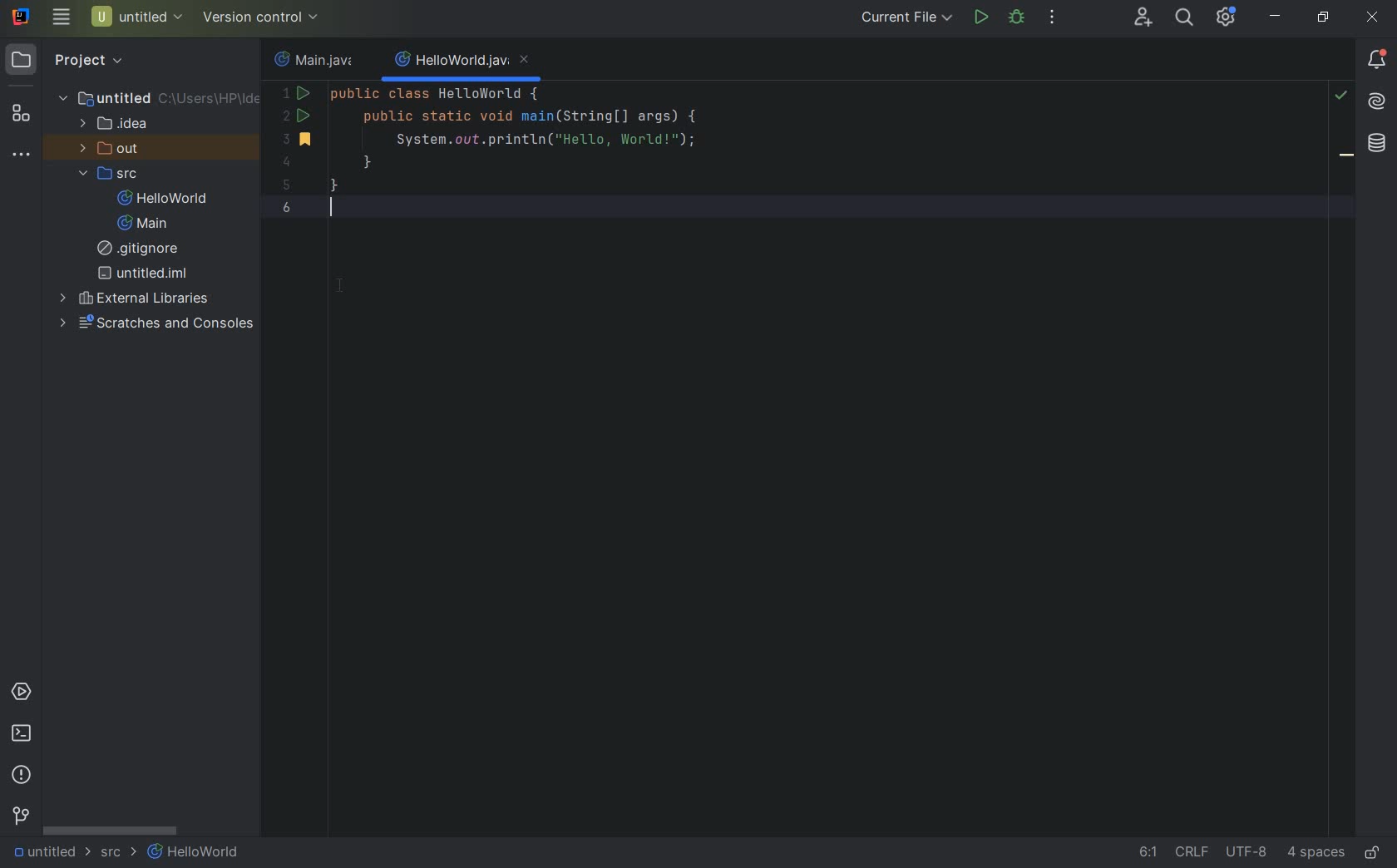 Image resolution: width=1397 pixels, height=868 pixels. I want to click on run, so click(980, 17).